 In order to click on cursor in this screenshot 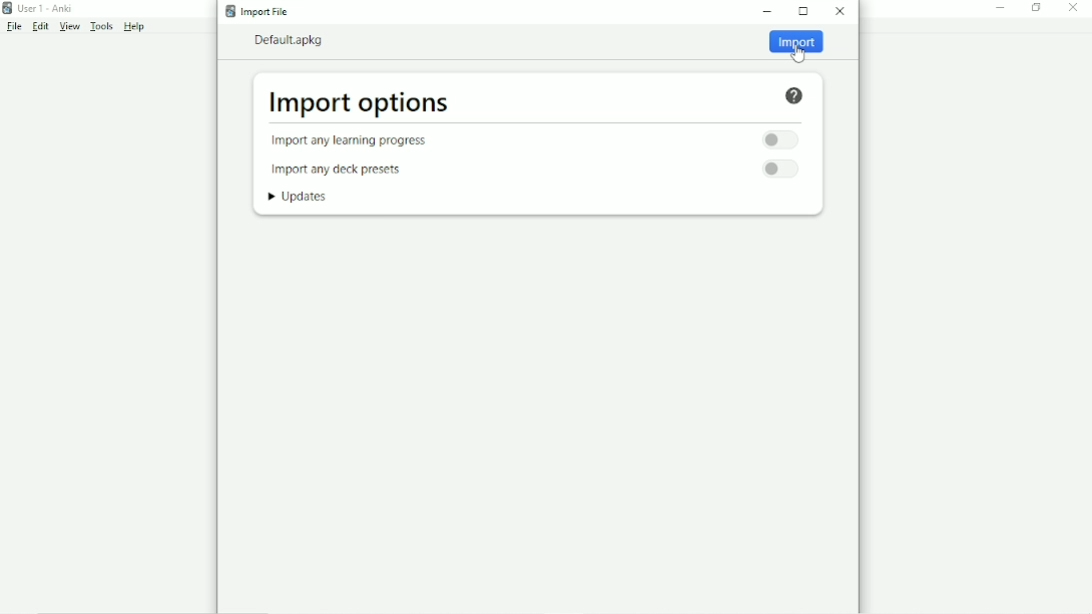, I will do `click(799, 55)`.